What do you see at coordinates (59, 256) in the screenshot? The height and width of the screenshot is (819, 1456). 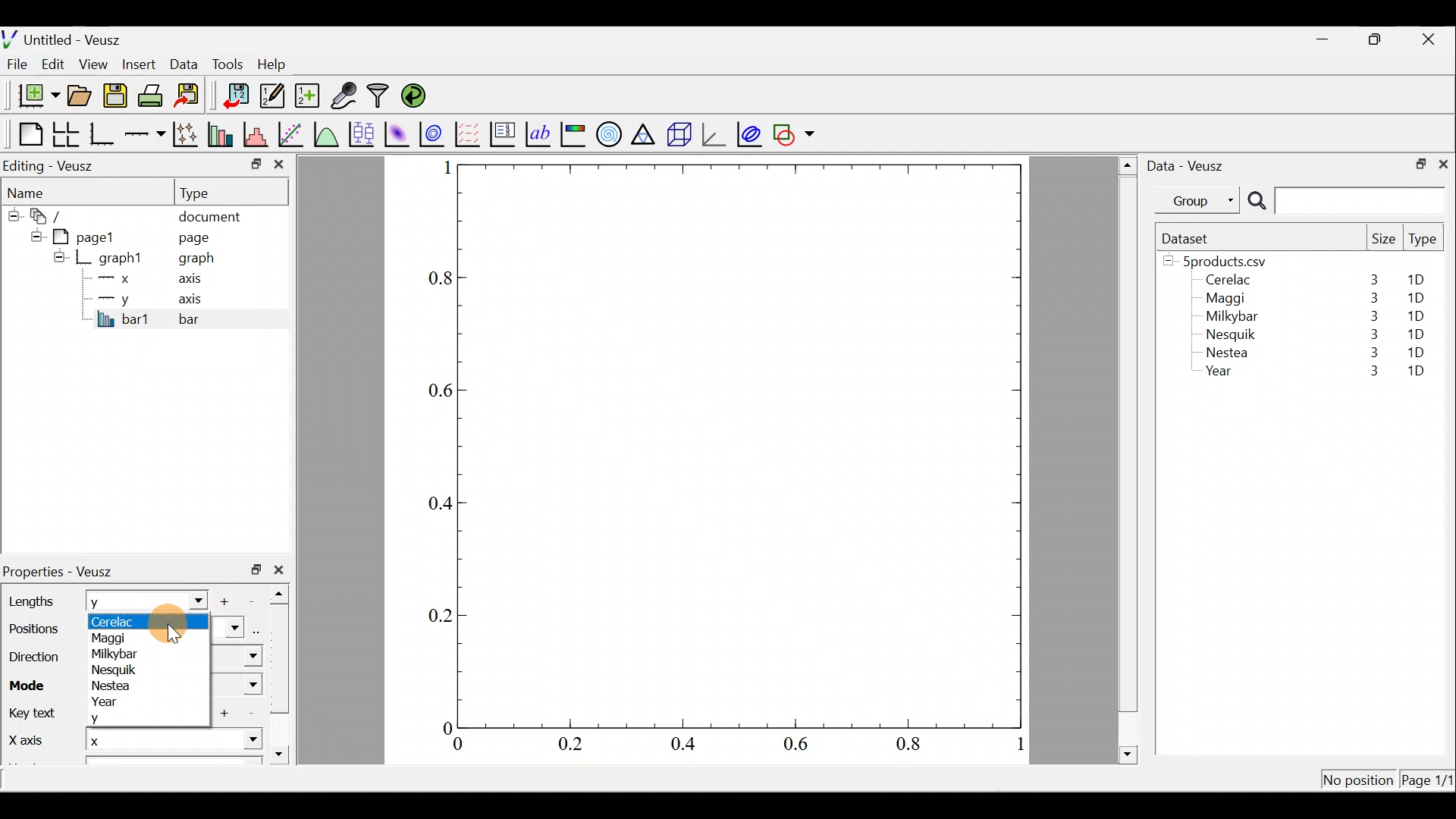 I see `hide` at bounding box center [59, 256].